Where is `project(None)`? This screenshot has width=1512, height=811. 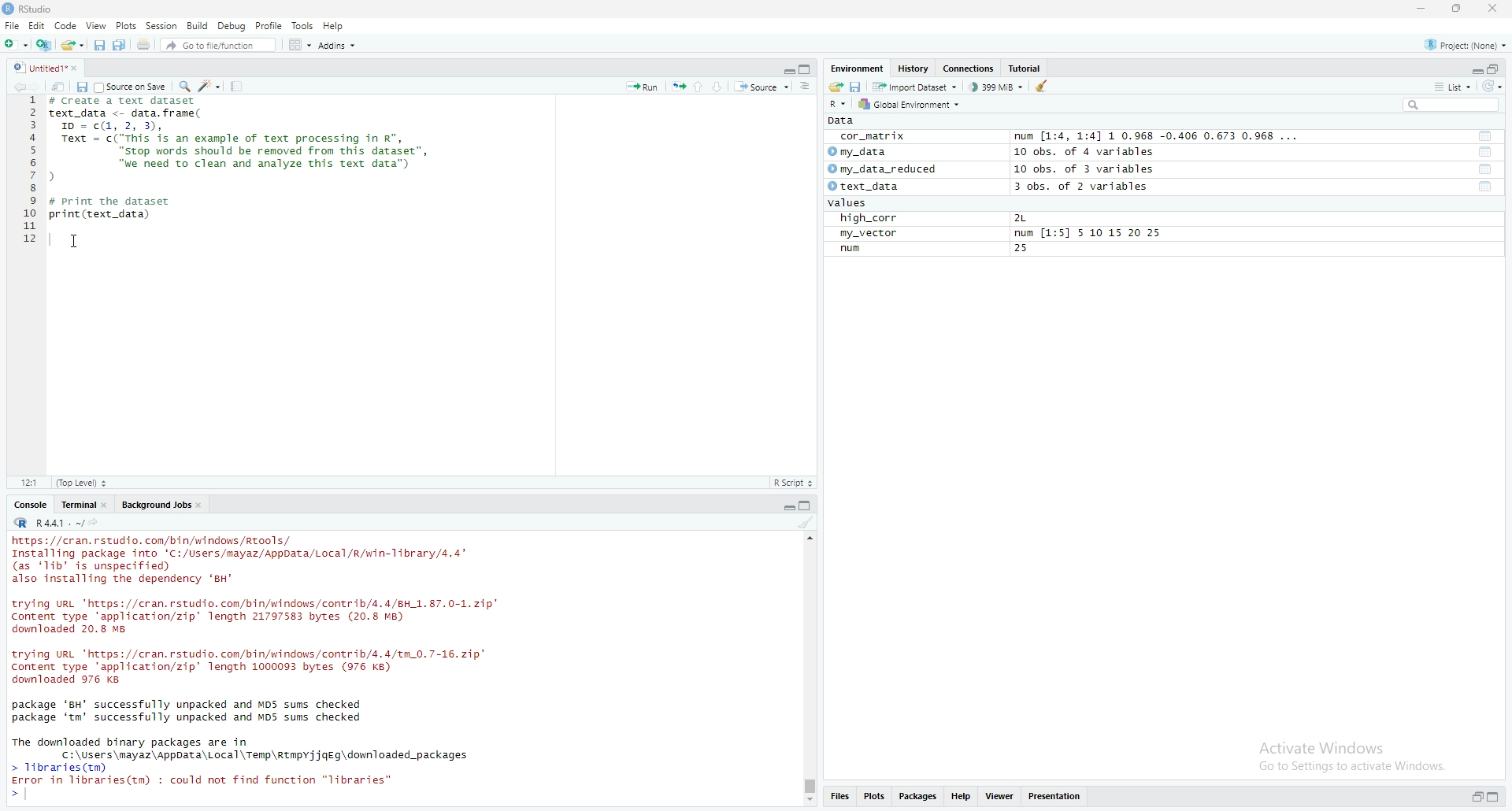
project(None) is located at coordinates (1466, 45).